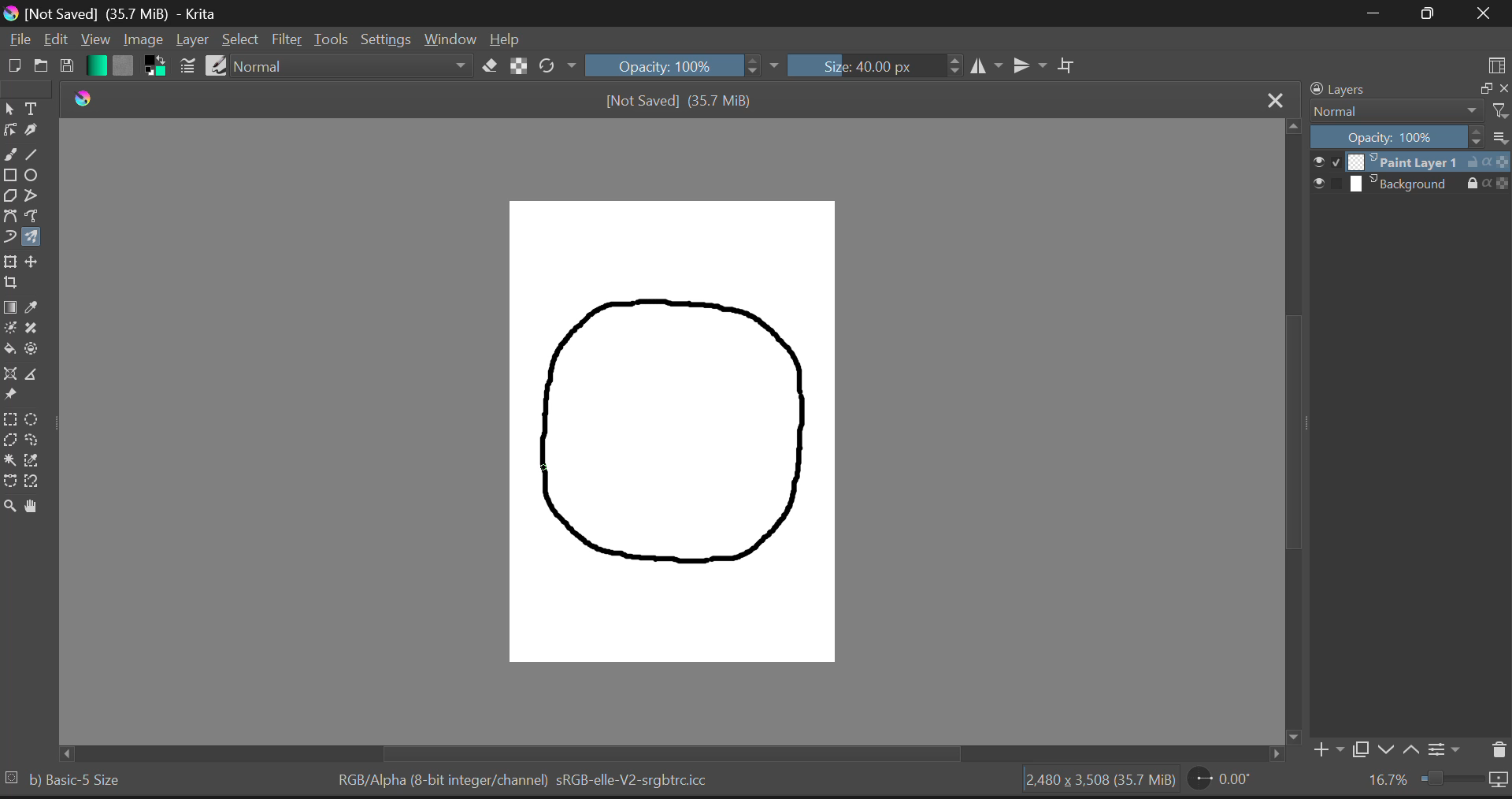 The image size is (1512, 799). I want to click on close, so click(1503, 89).